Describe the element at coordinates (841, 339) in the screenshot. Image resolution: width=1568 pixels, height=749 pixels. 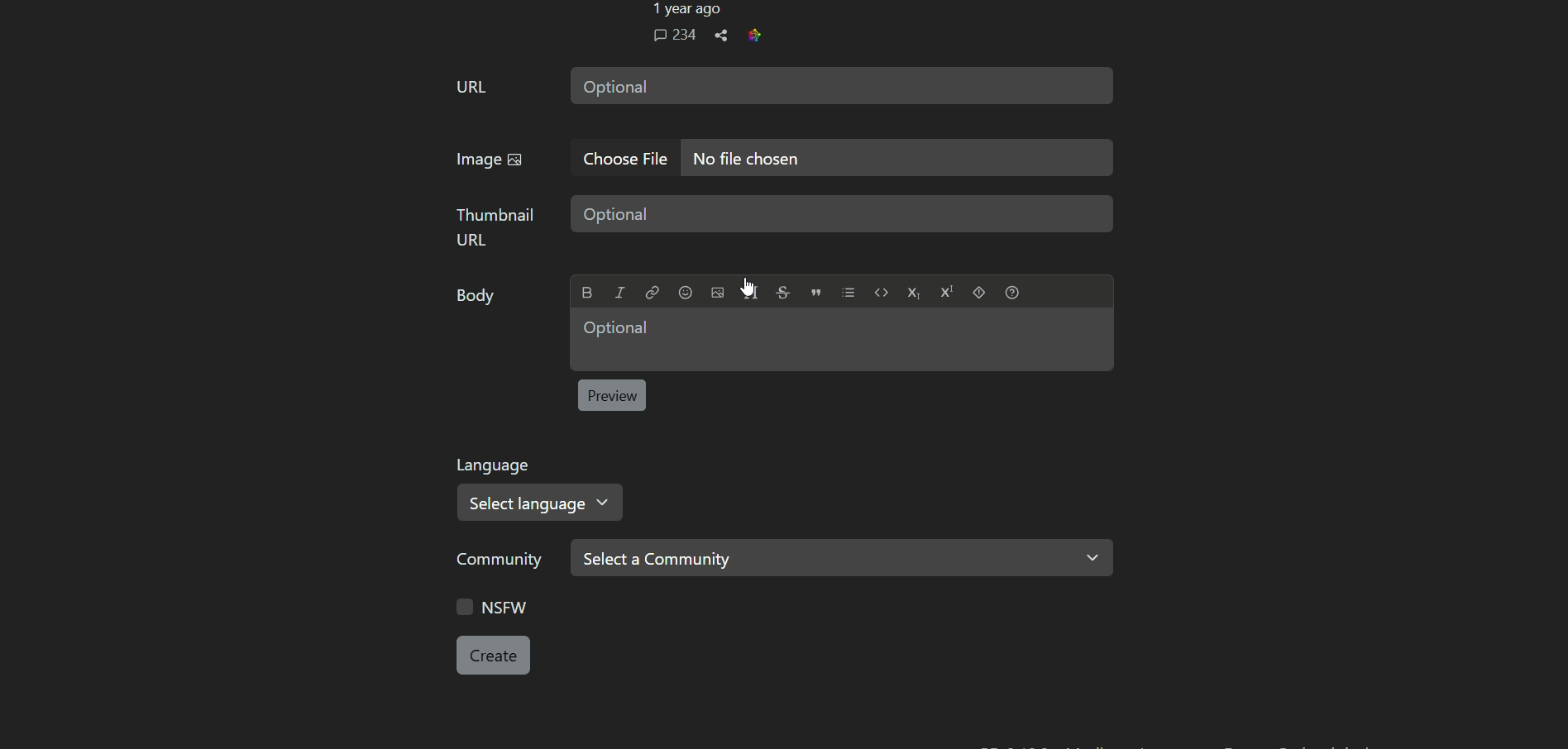
I see `text box` at that location.